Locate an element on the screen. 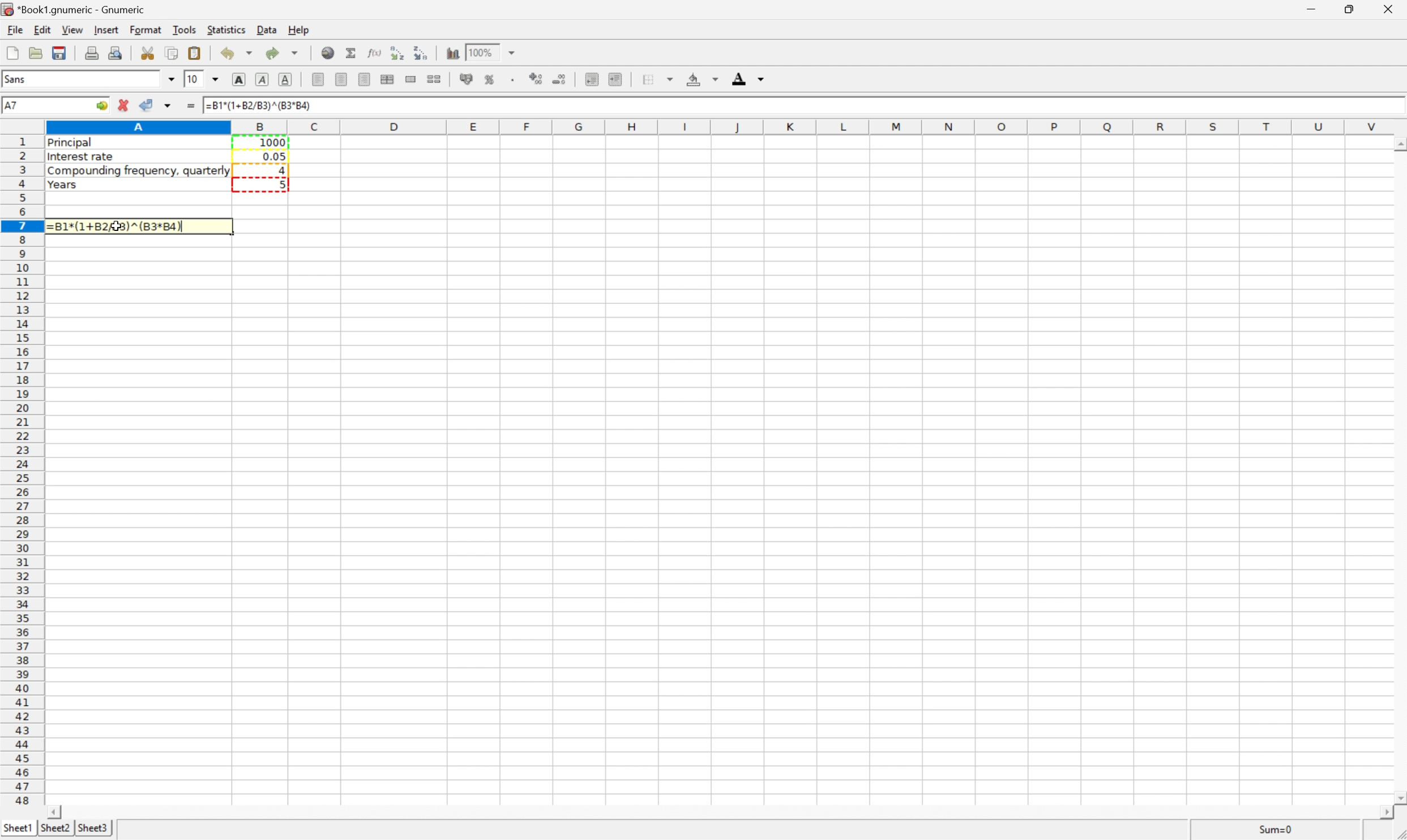  compounding frequency, quarterly is located at coordinates (136, 172).